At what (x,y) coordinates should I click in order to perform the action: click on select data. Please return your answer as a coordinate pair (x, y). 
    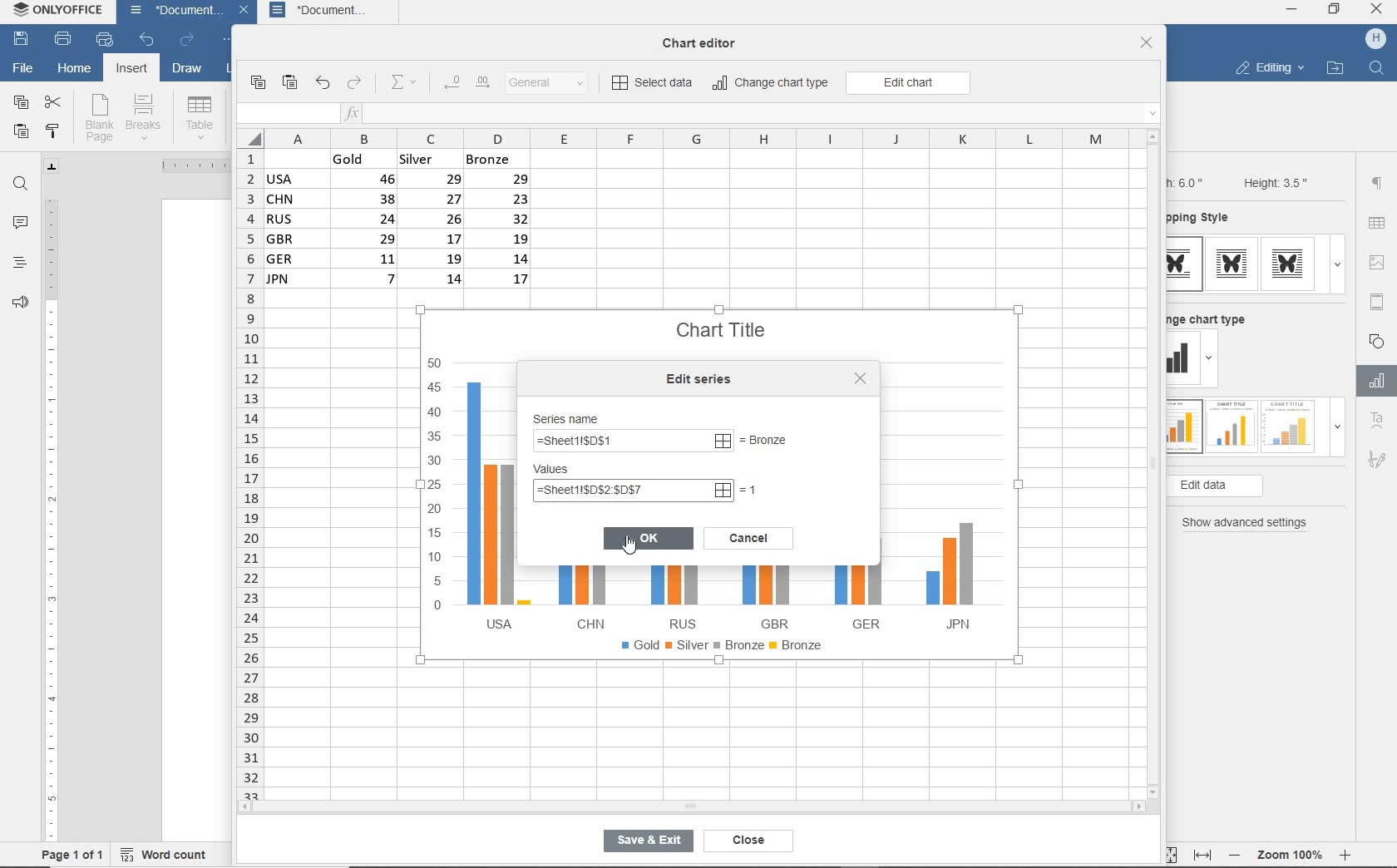
    Looking at the image, I should click on (654, 84).